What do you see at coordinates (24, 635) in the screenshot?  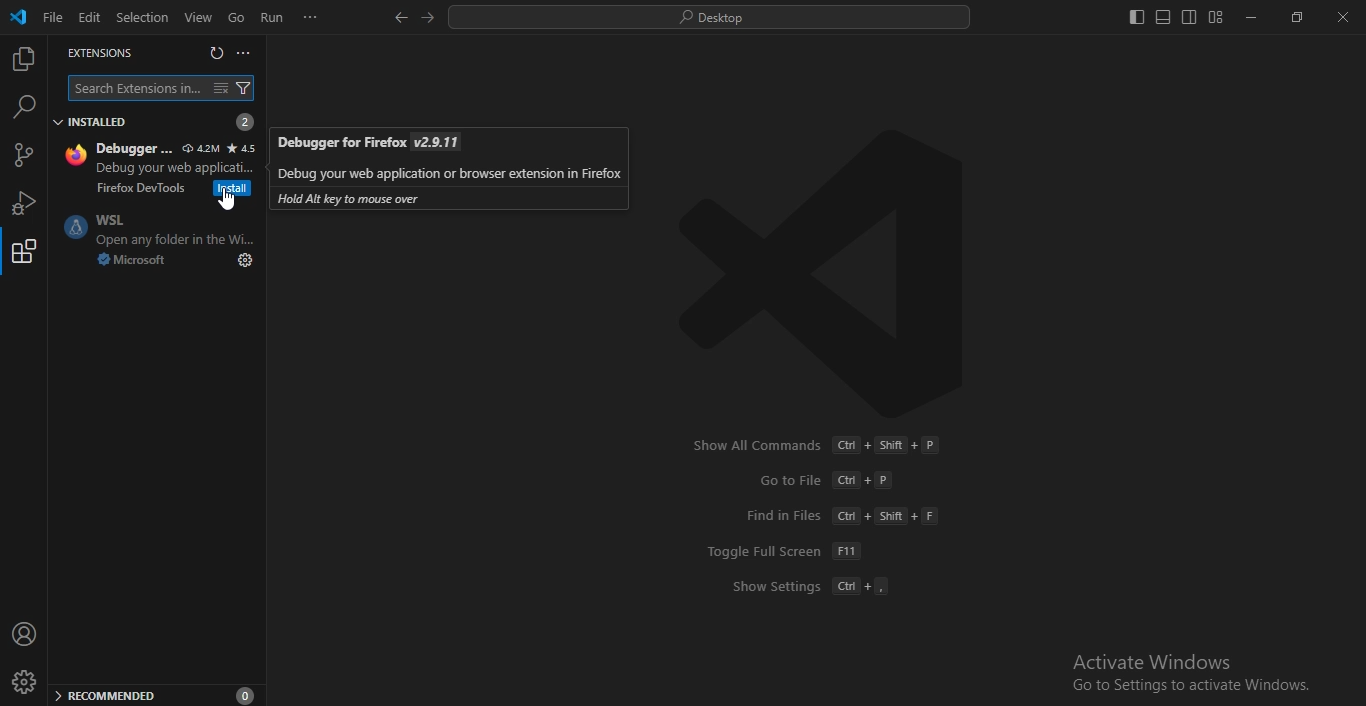 I see `account` at bounding box center [24, 635].